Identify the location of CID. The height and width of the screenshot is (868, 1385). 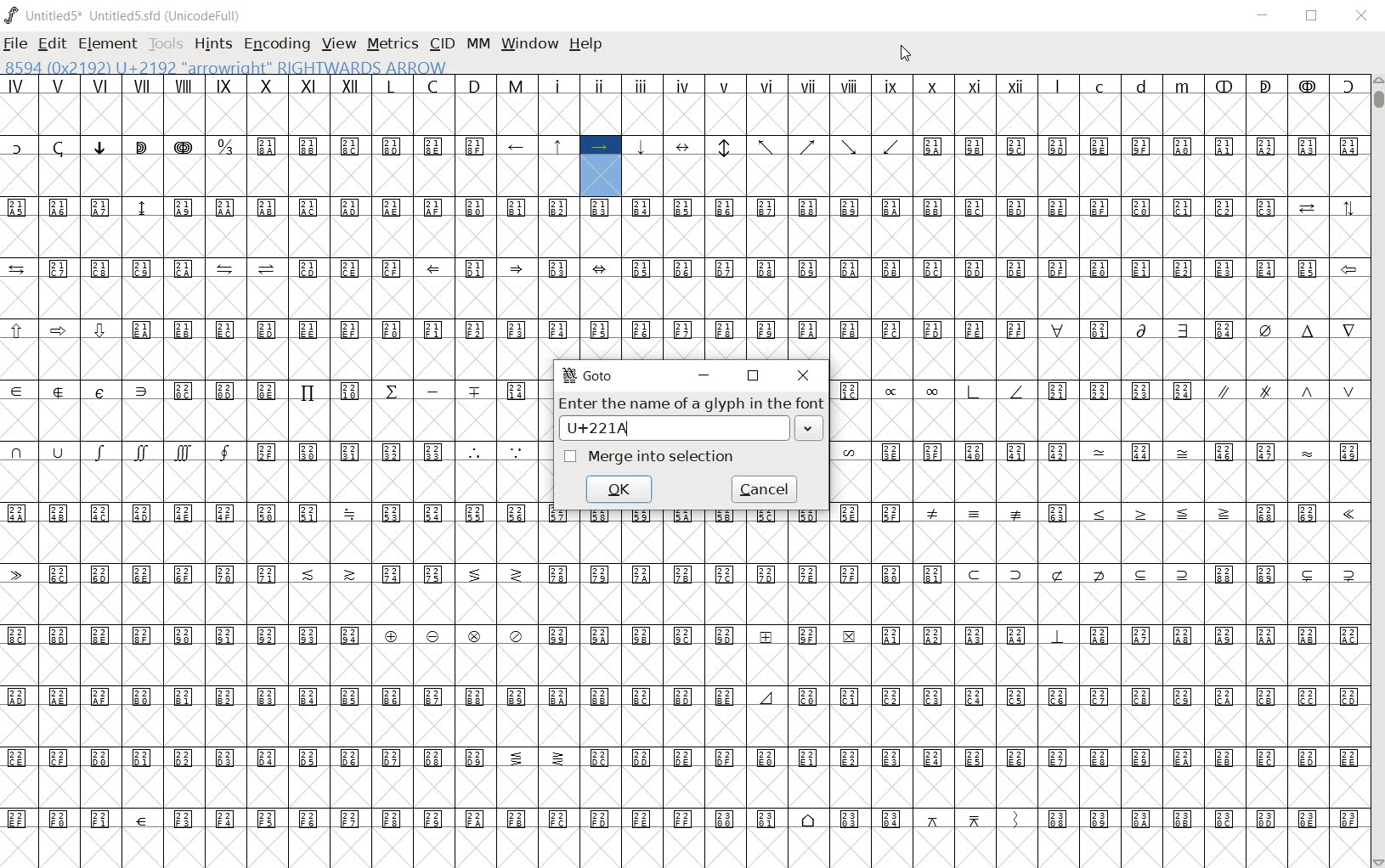
(441, 43).